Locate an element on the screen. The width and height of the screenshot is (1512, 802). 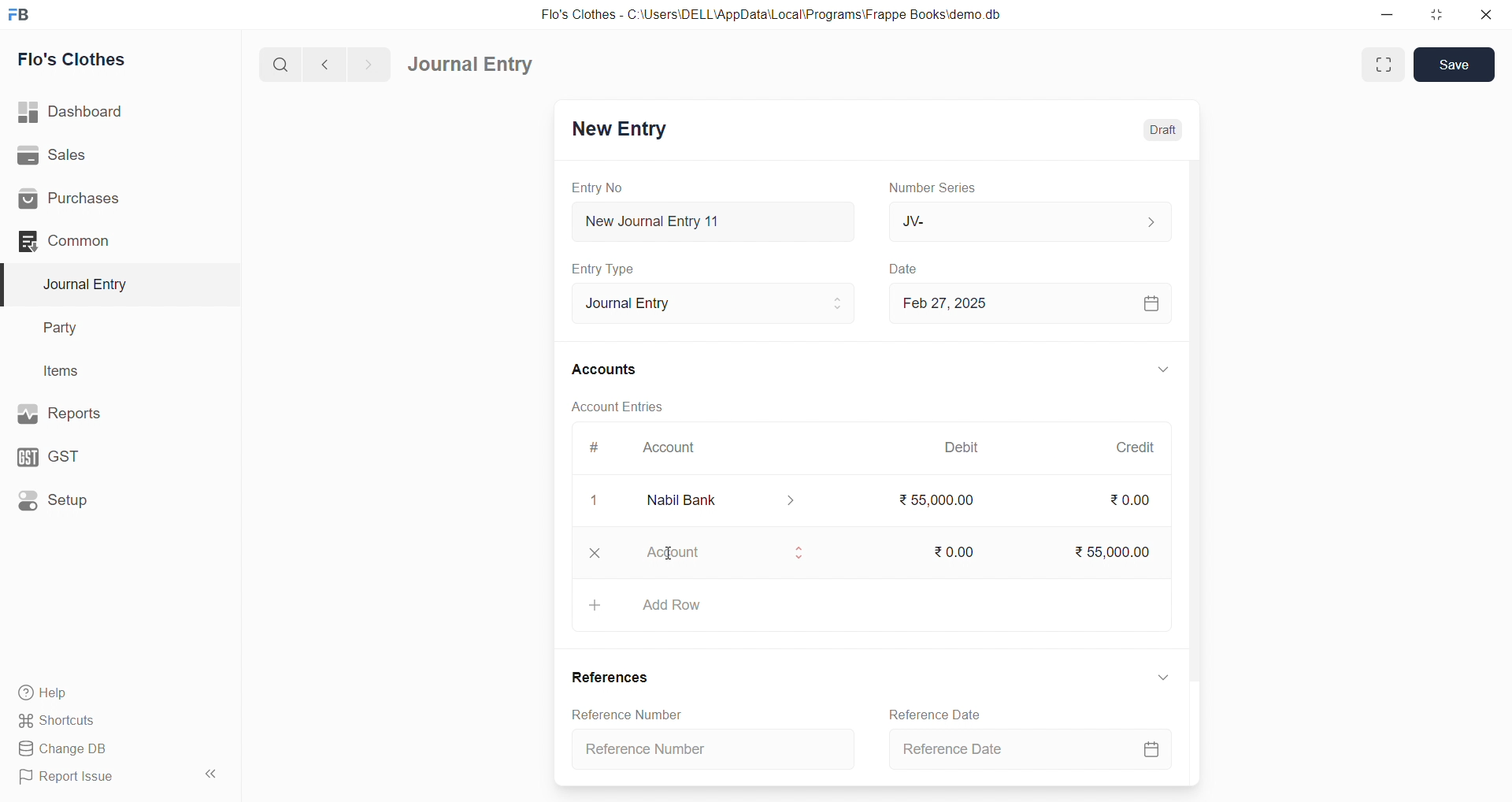
search is located at coordinates (278, 66).